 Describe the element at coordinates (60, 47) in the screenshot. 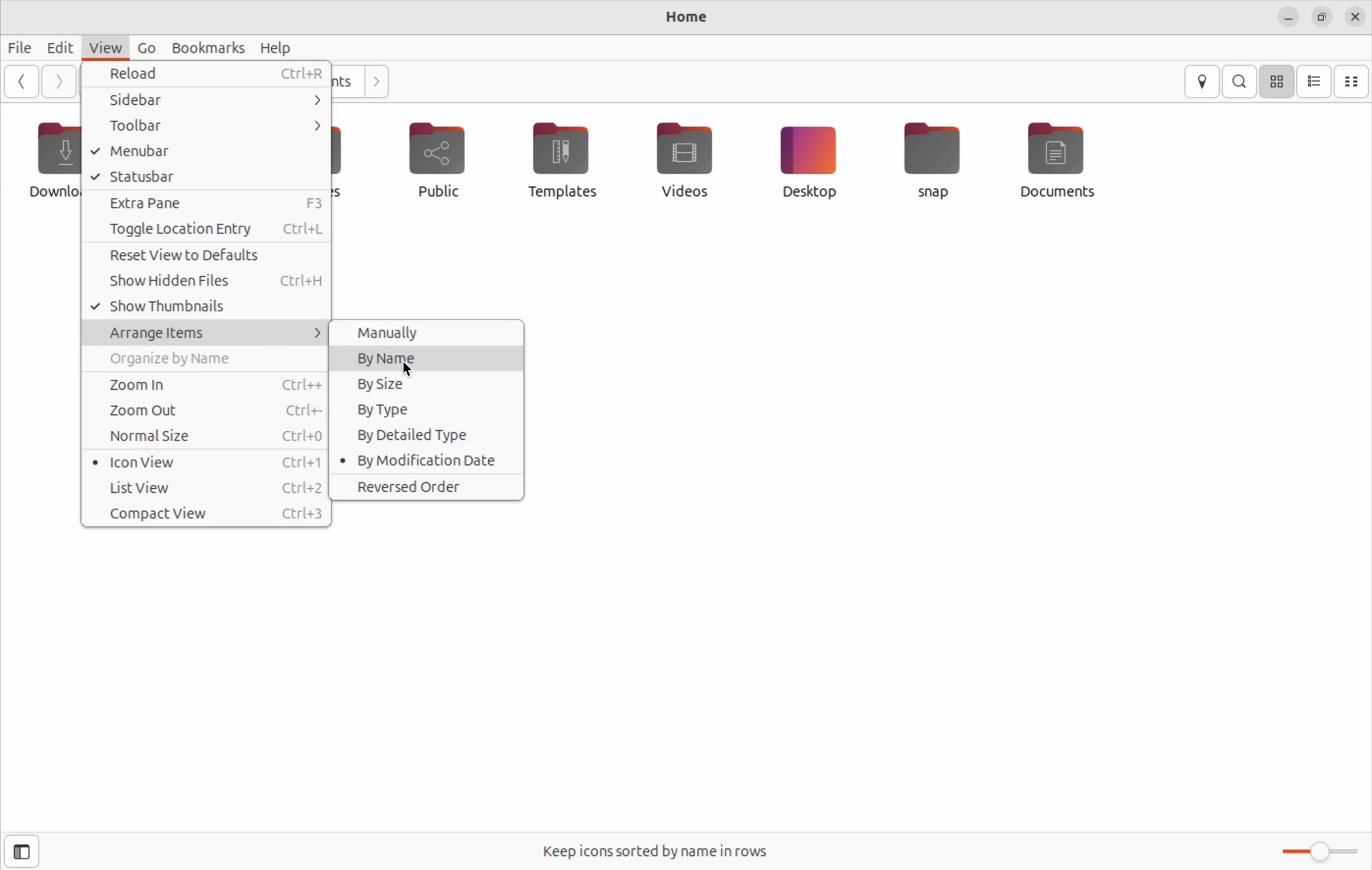

I see `Edit` at that location.